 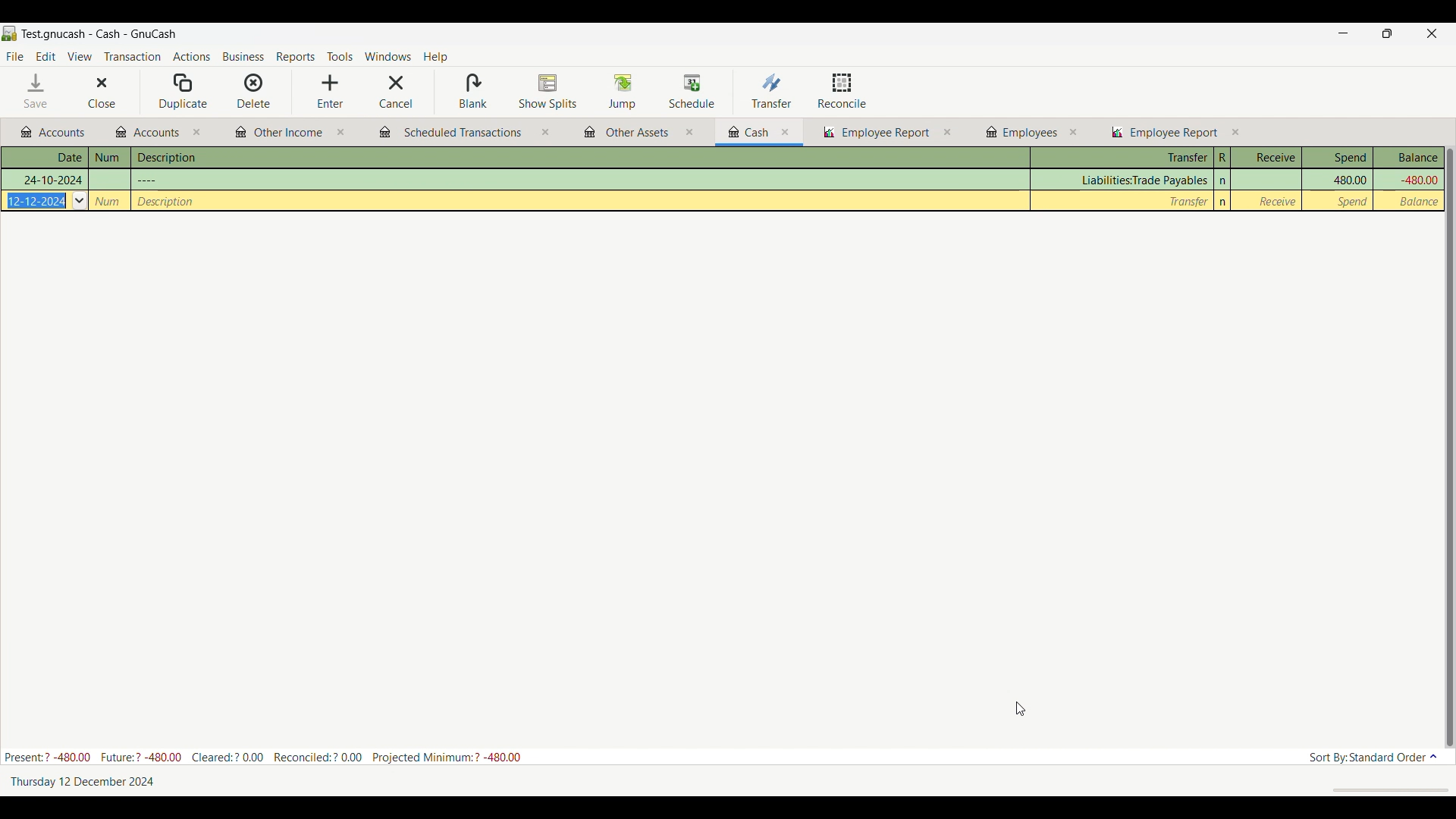 What do you see at coordinates (1021, 709) in the screenshot?
I see `Cursor position unchanged` at bounding box center [1021, 709].